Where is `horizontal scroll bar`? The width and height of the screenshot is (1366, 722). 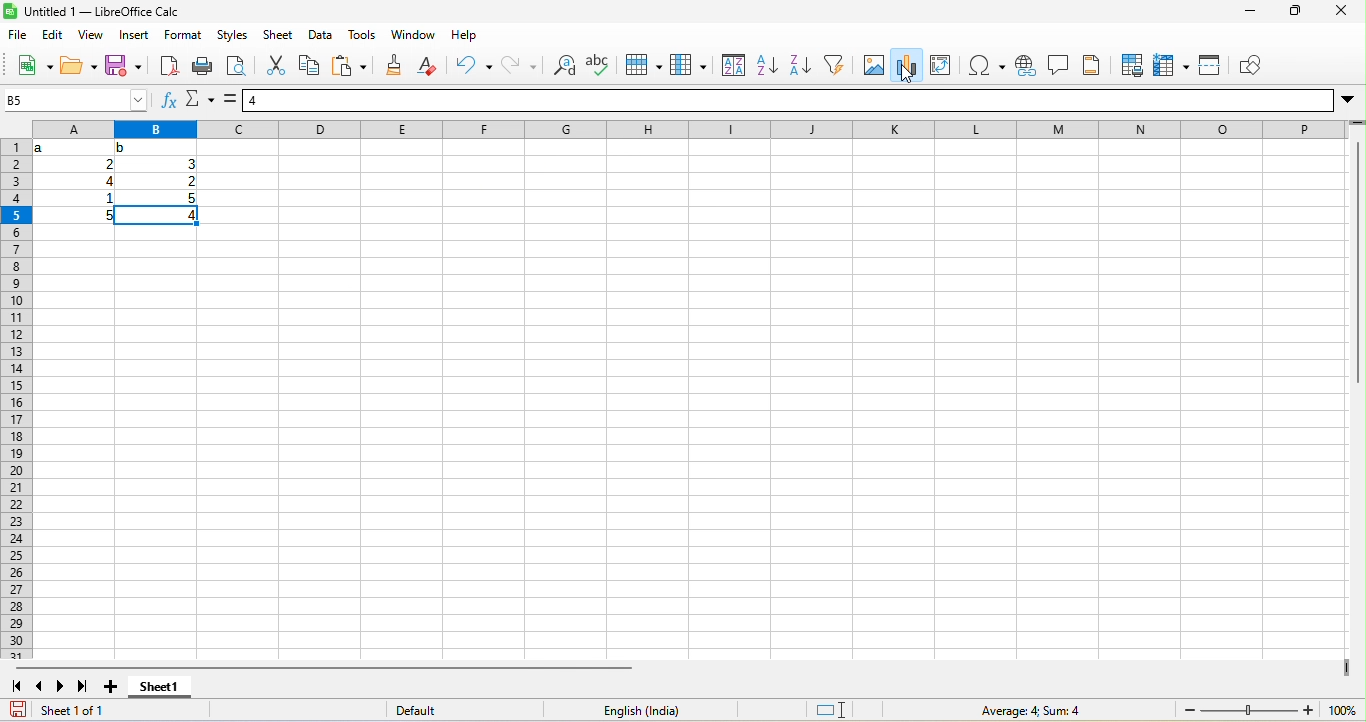
horizontal scroll bar is located at coordinates (323, 668).